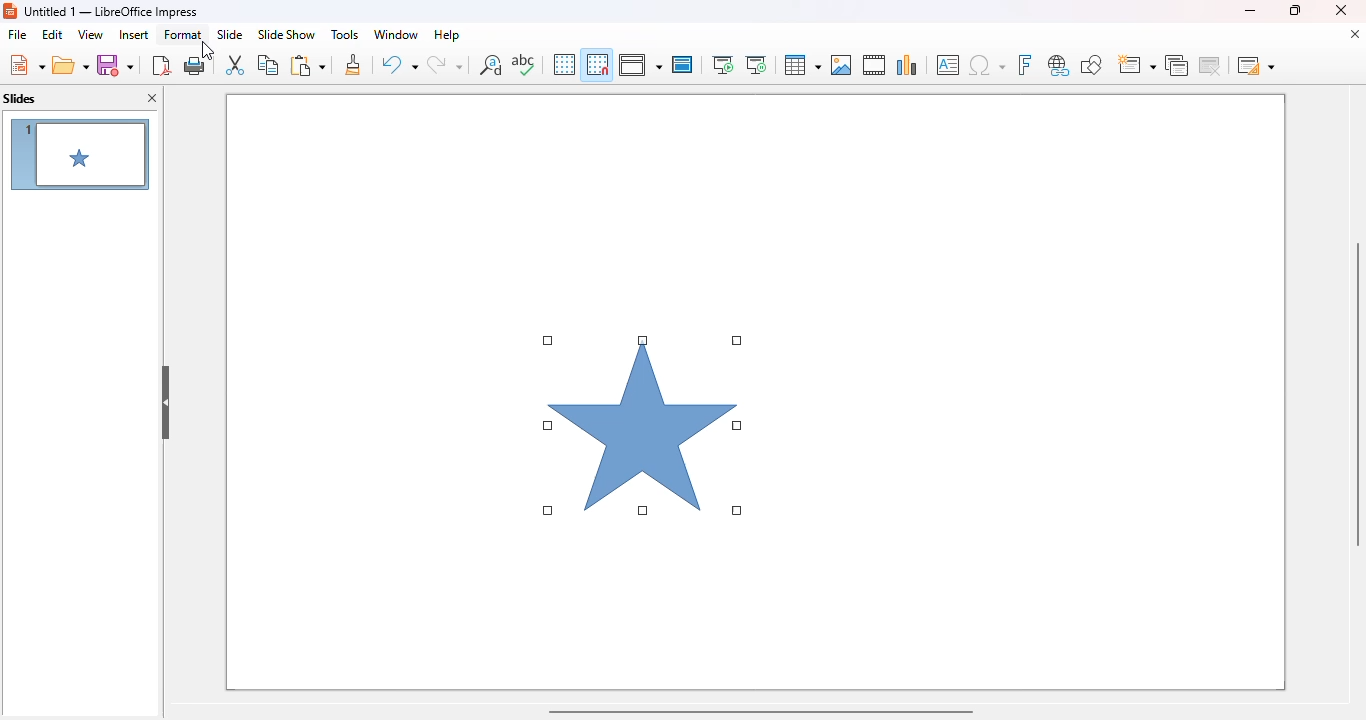 Image resolution: width=1366 pixels, height=720 pixels. What do you see at coordinates (395, 34) in the screenshot?
I see `window` at bounding box center [395, 34].